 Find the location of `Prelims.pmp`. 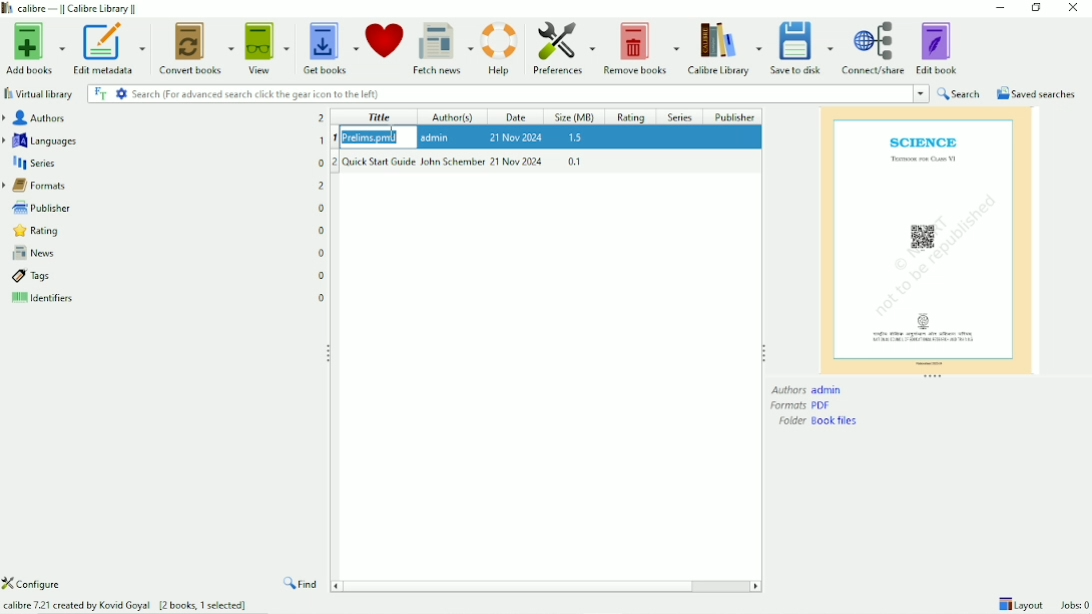

Prelims.pmp is located at coordinates (373, 137).